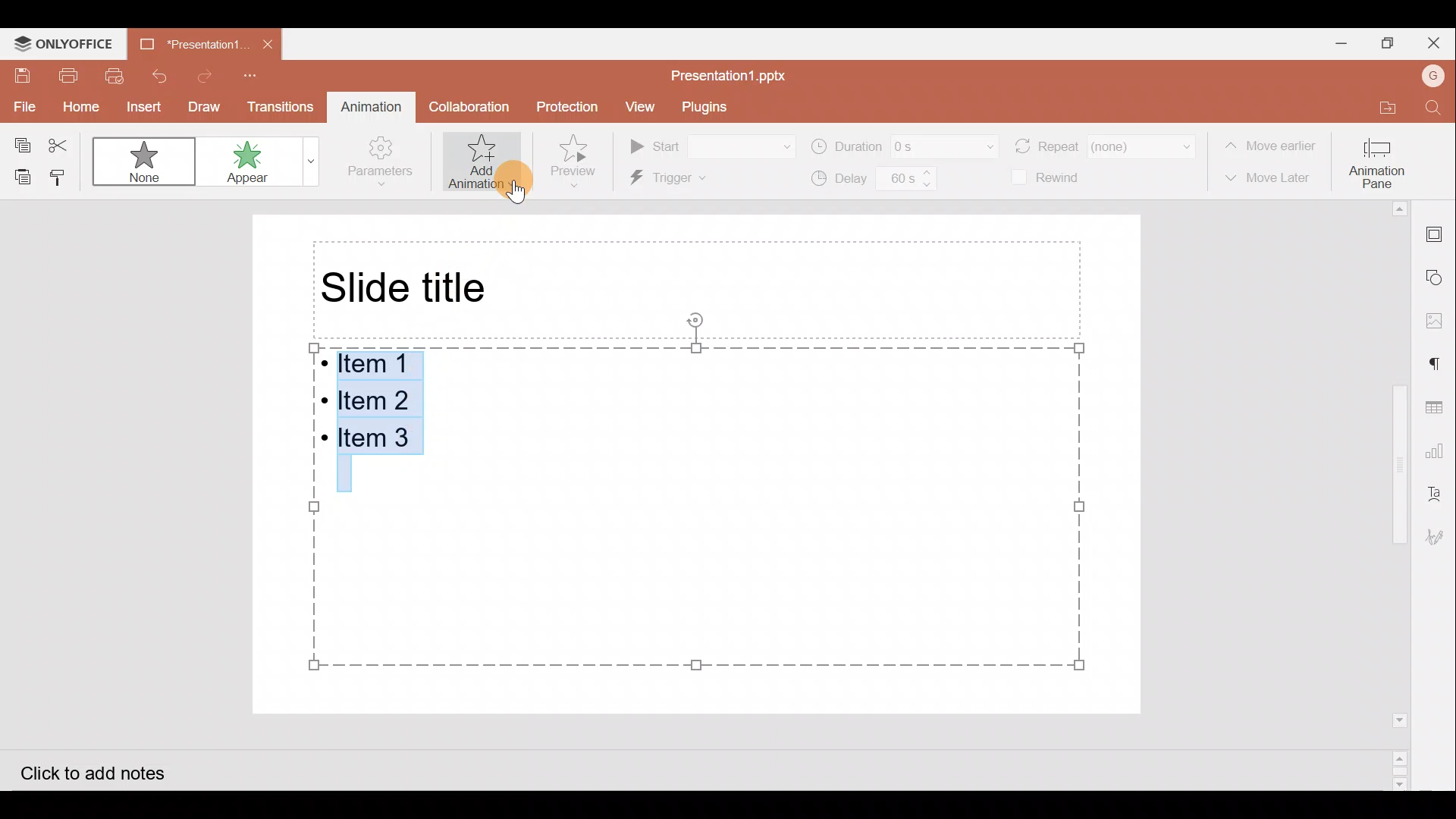 The height and width of the screenshot is (819, 1456). What do you see at coordinates (73, 104) in the screenshot?
I see `Home` at bounding box center [73, 104].